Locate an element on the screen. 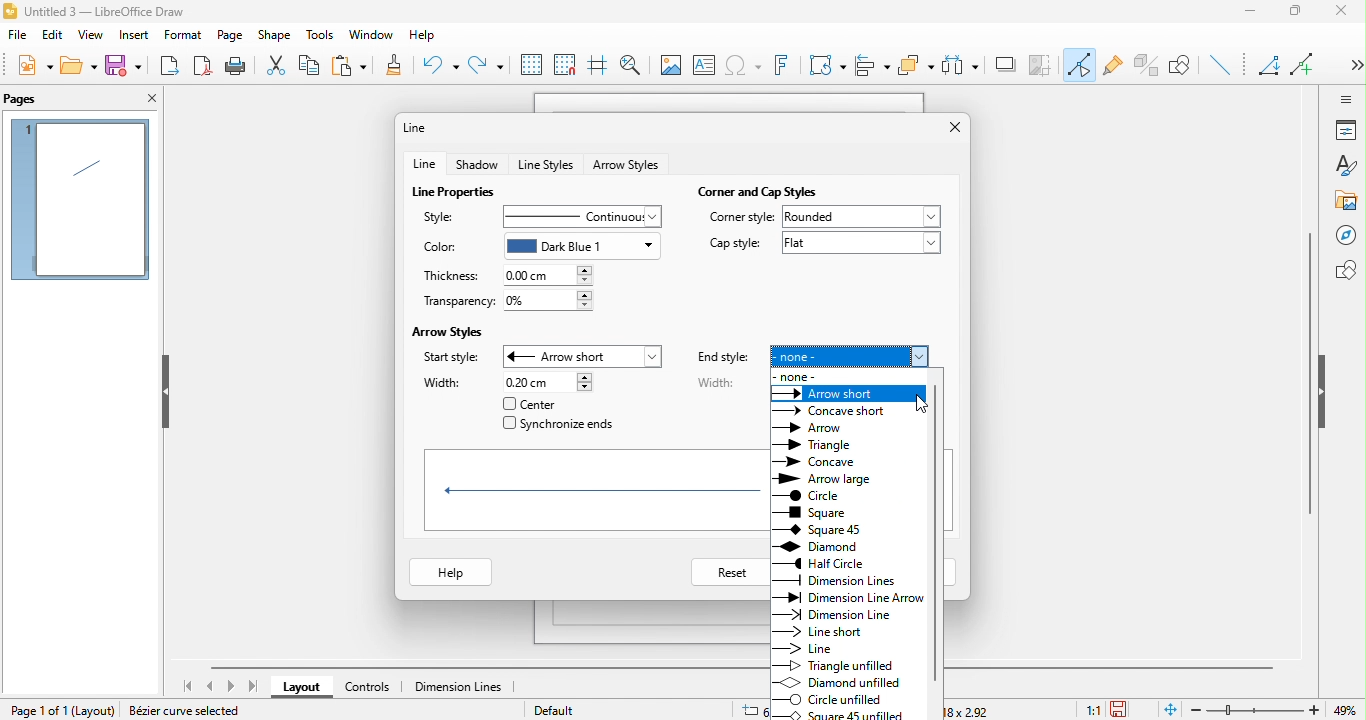 The height and width of the screenshot is (720, 1366). line properties is located at coordinates (457, 190).